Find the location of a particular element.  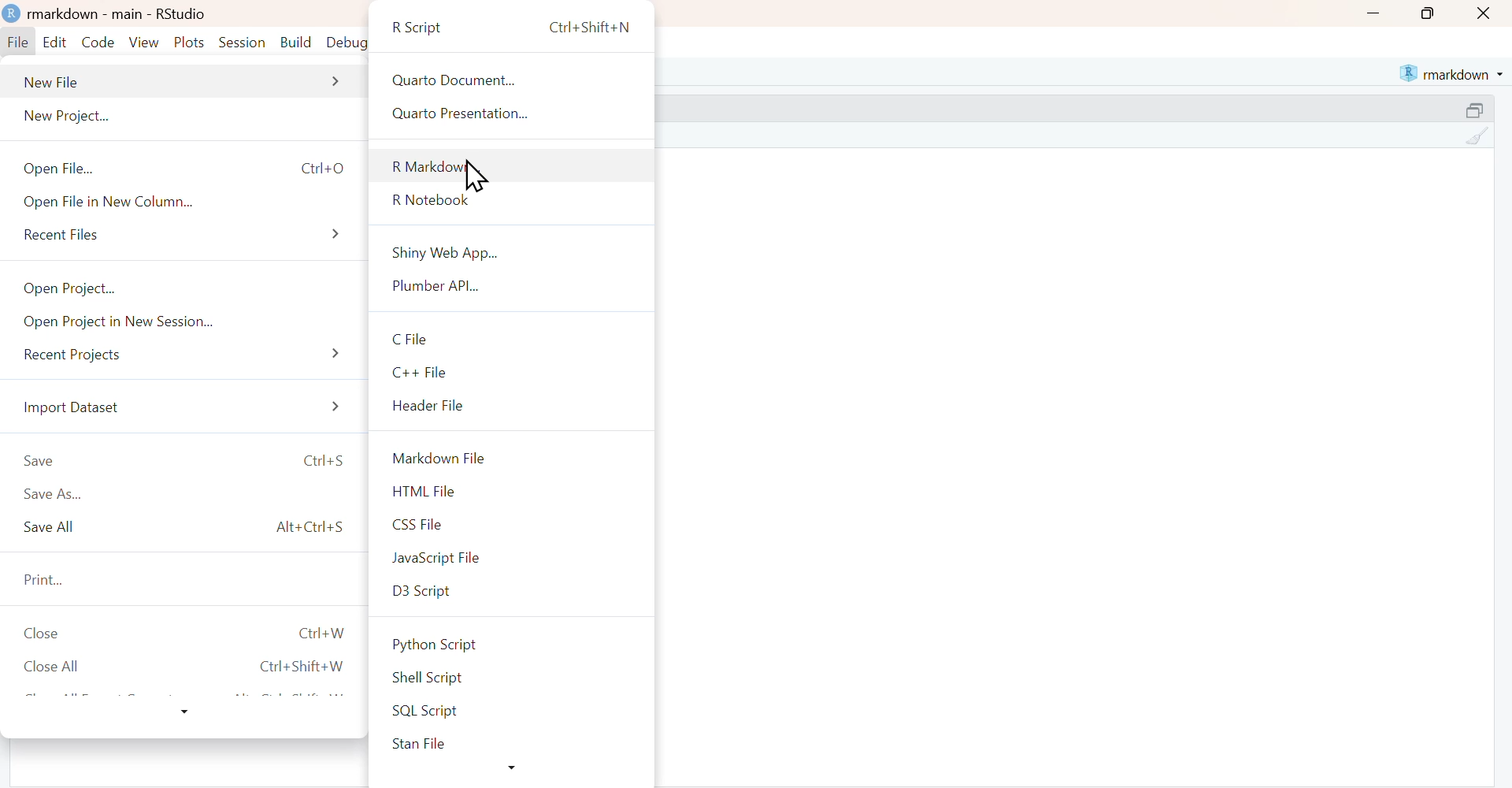

Close is located at coordinates (1485, 13).